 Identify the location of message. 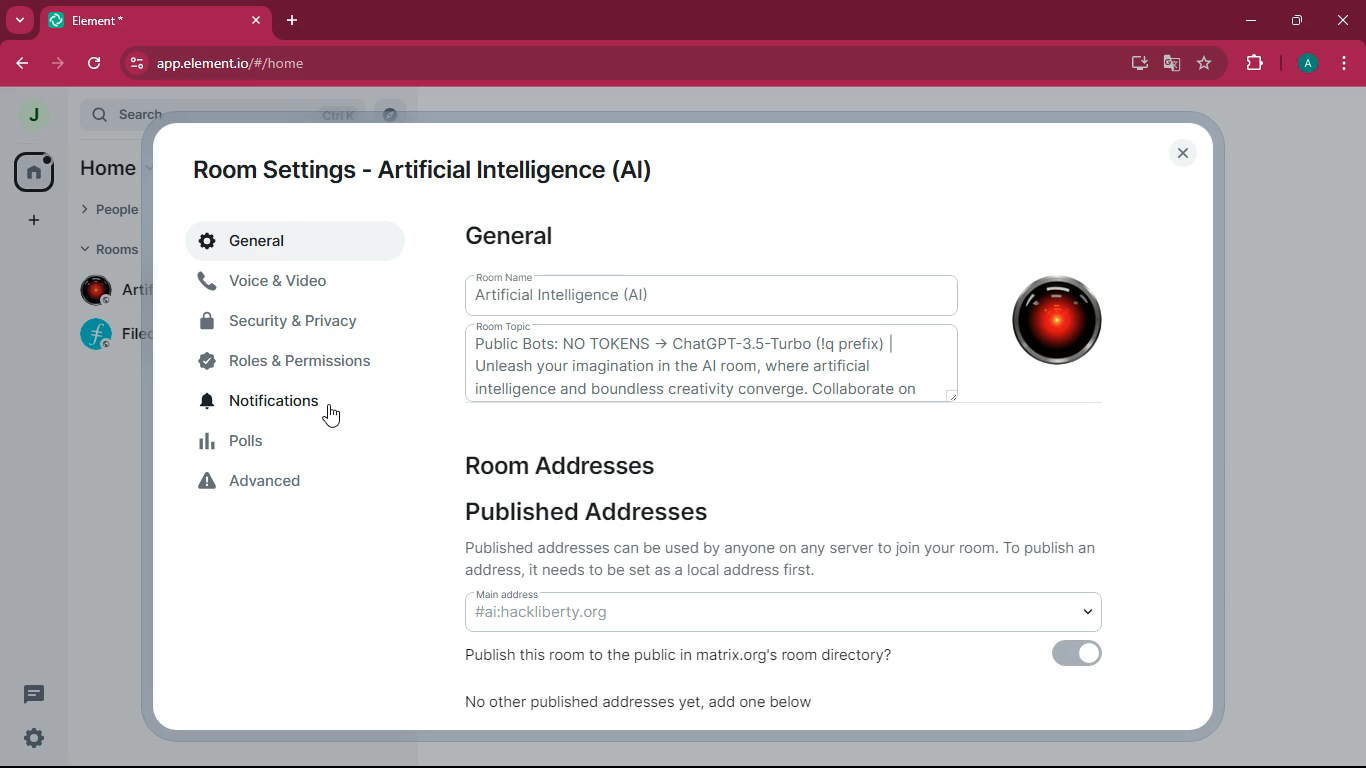
(36, 694).